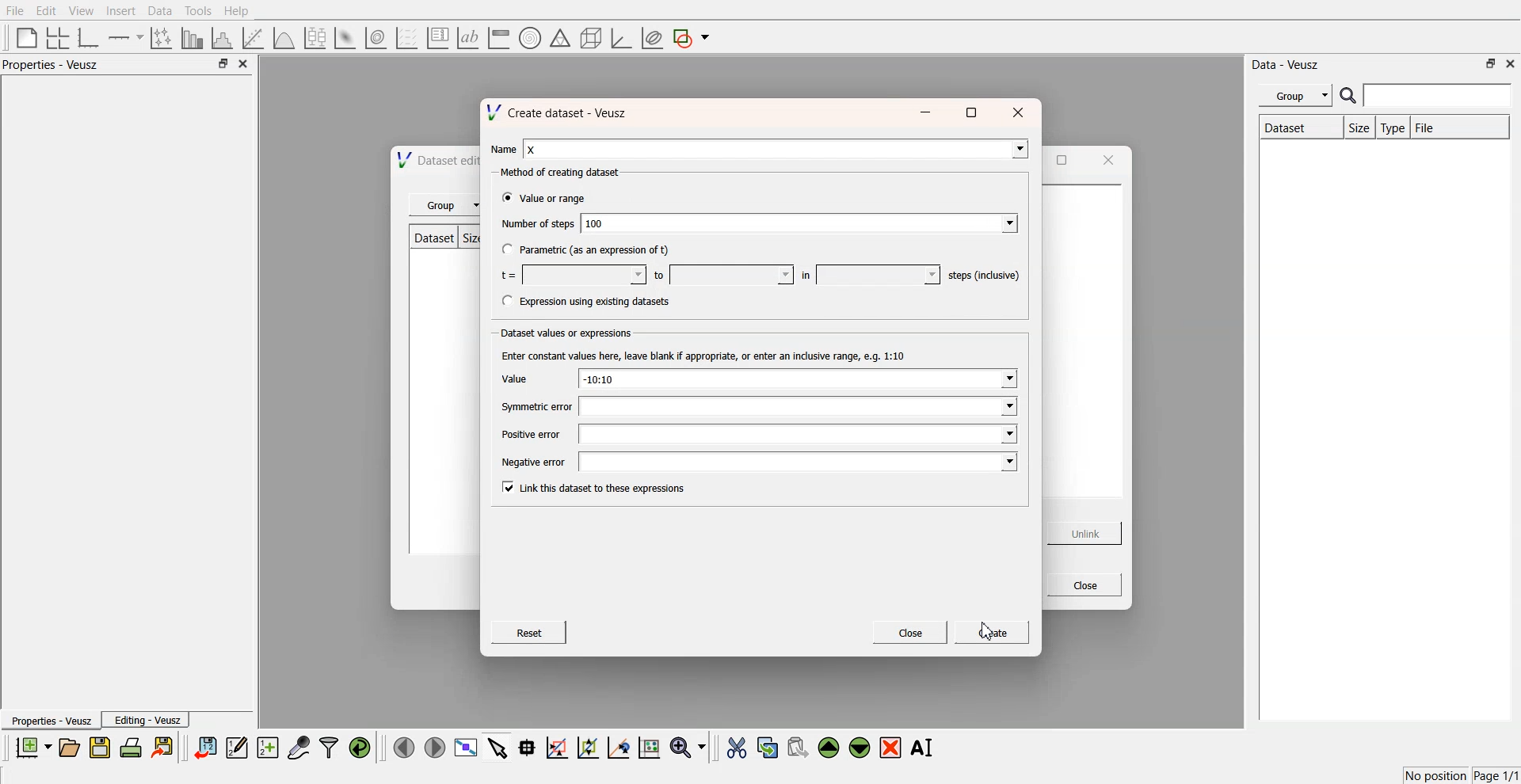  What do you see at coordinates (597, 302) in the screenshot?
I see `Expression using existing datasets` at bounding box center [597, 302].